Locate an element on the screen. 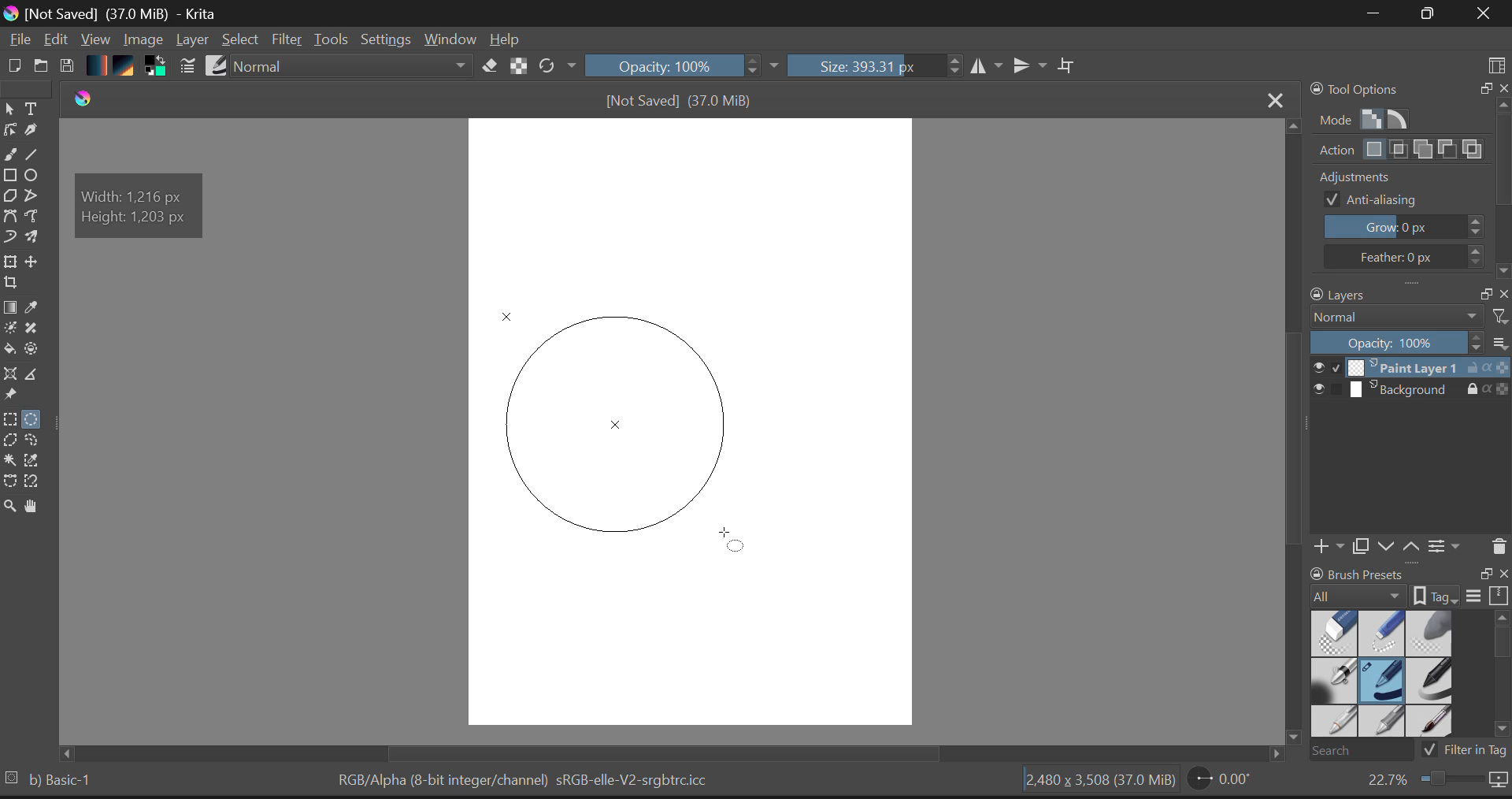  Transform Layers is located at coordinates (13, 262).